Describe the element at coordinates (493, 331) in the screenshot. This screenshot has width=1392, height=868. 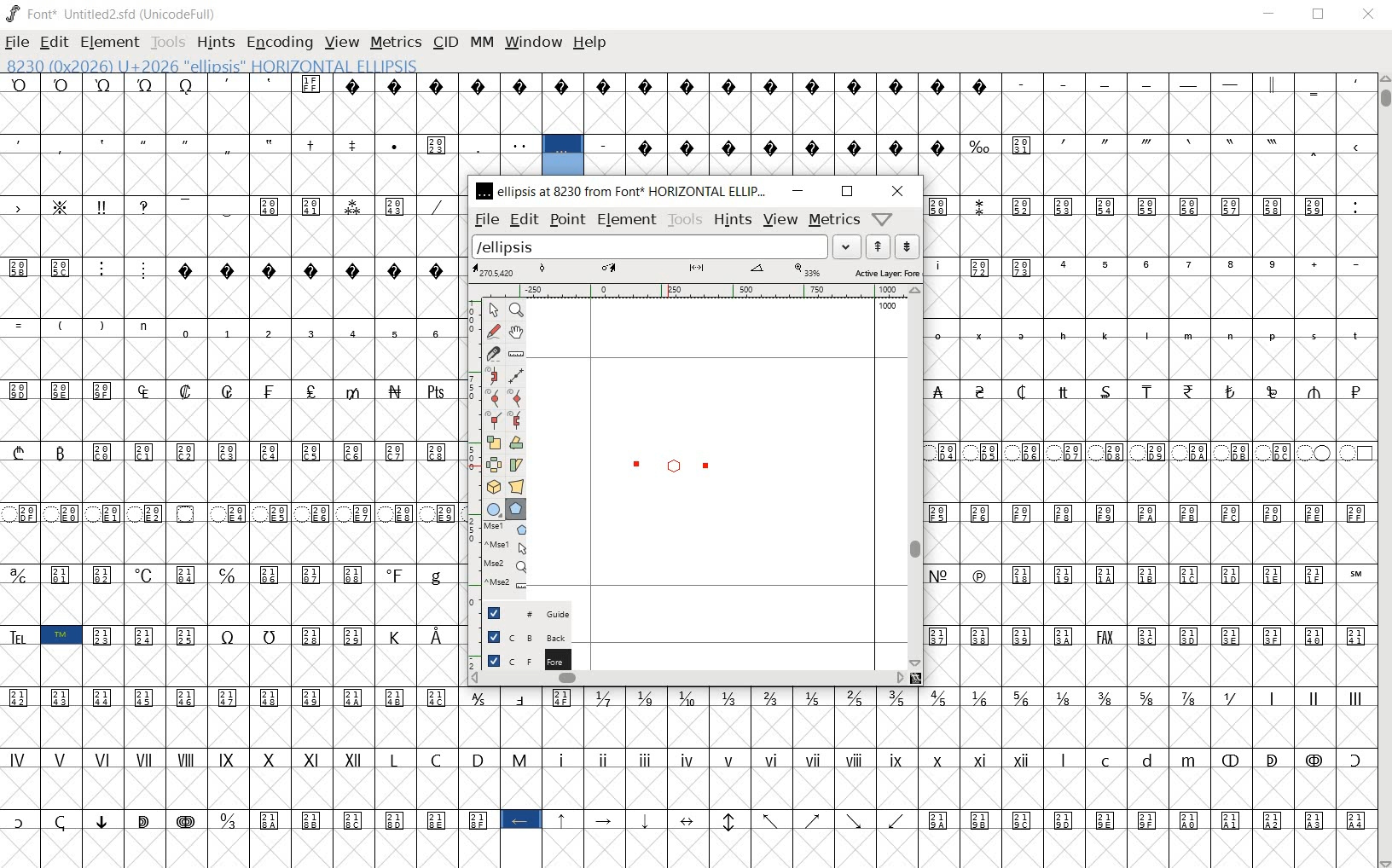
I see `draw a freehand curve` at that location.